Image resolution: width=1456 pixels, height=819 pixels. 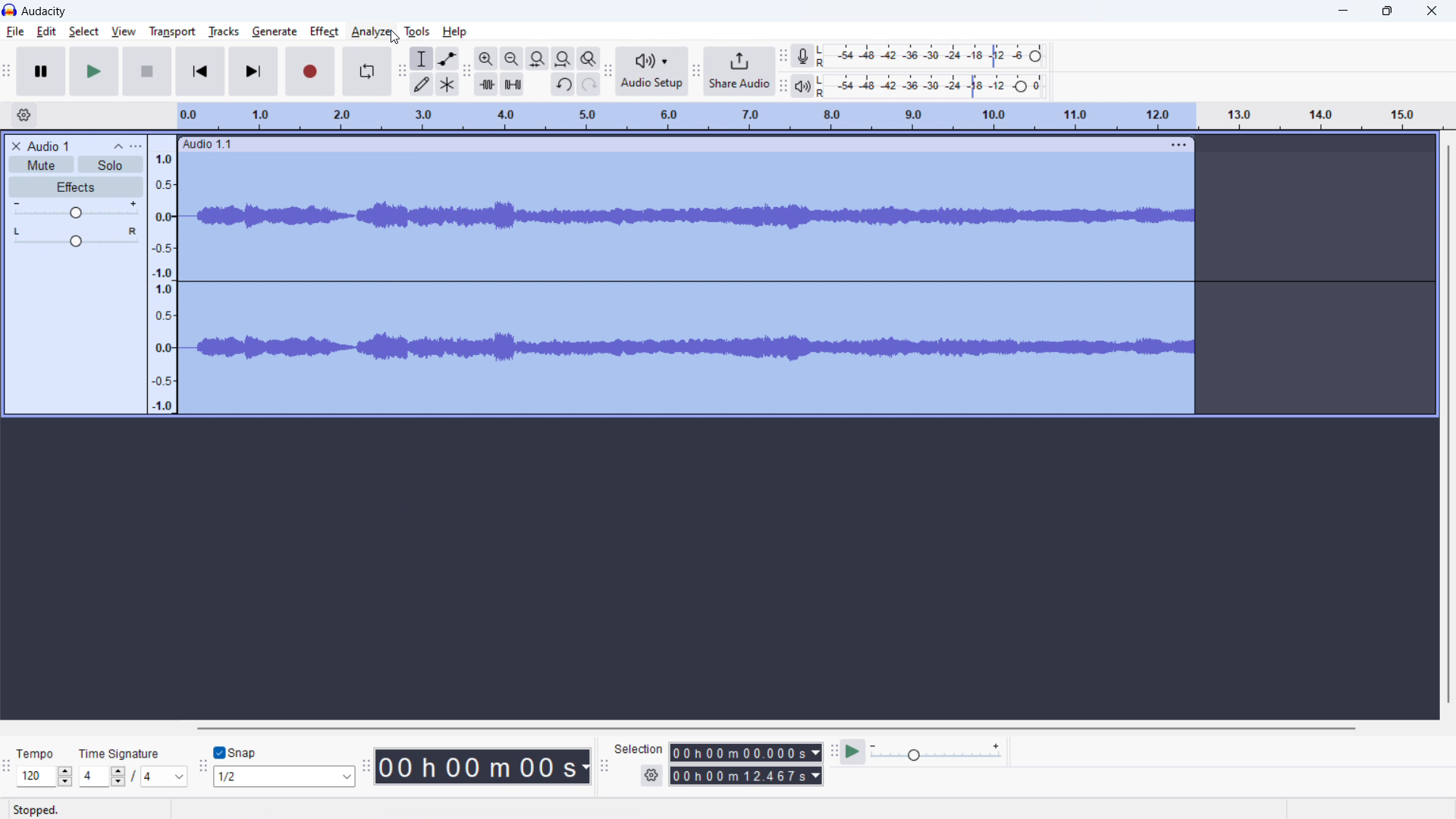 I want to click on end time, so click(x=745, y=775).